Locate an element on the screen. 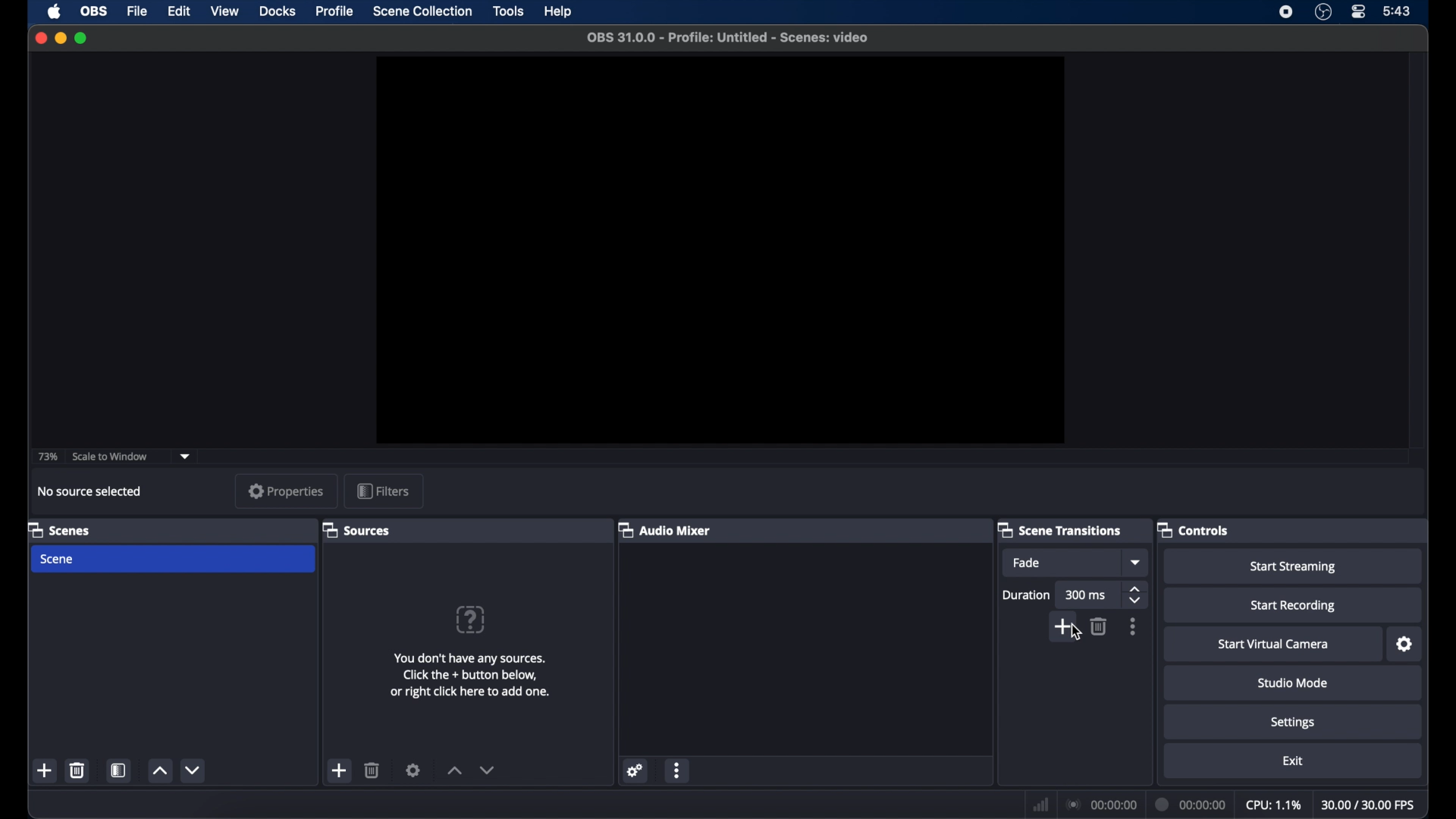 The image size is (1456, 819). preview is located at coordinates (722, 251).